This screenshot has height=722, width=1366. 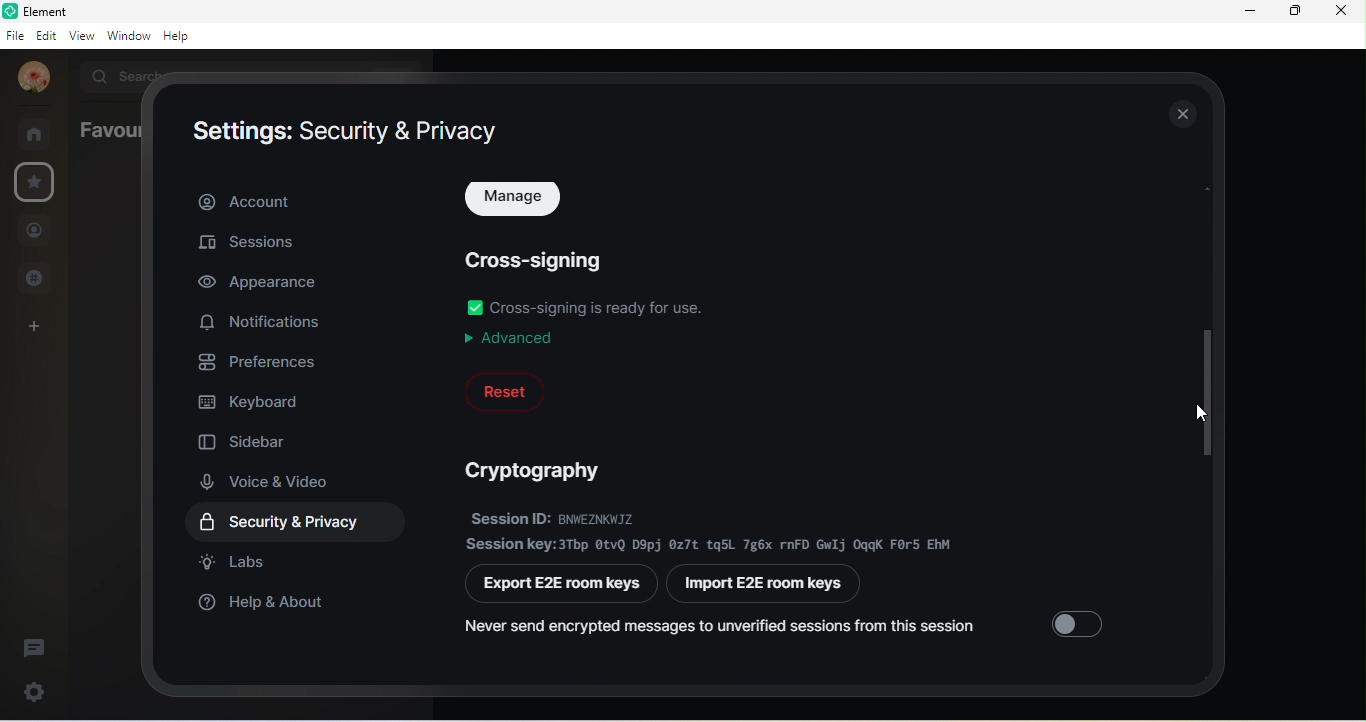 What do you see at coordinates (255, 246) in the screenshot?
I see `sessions` at bounding box center [255, 246].